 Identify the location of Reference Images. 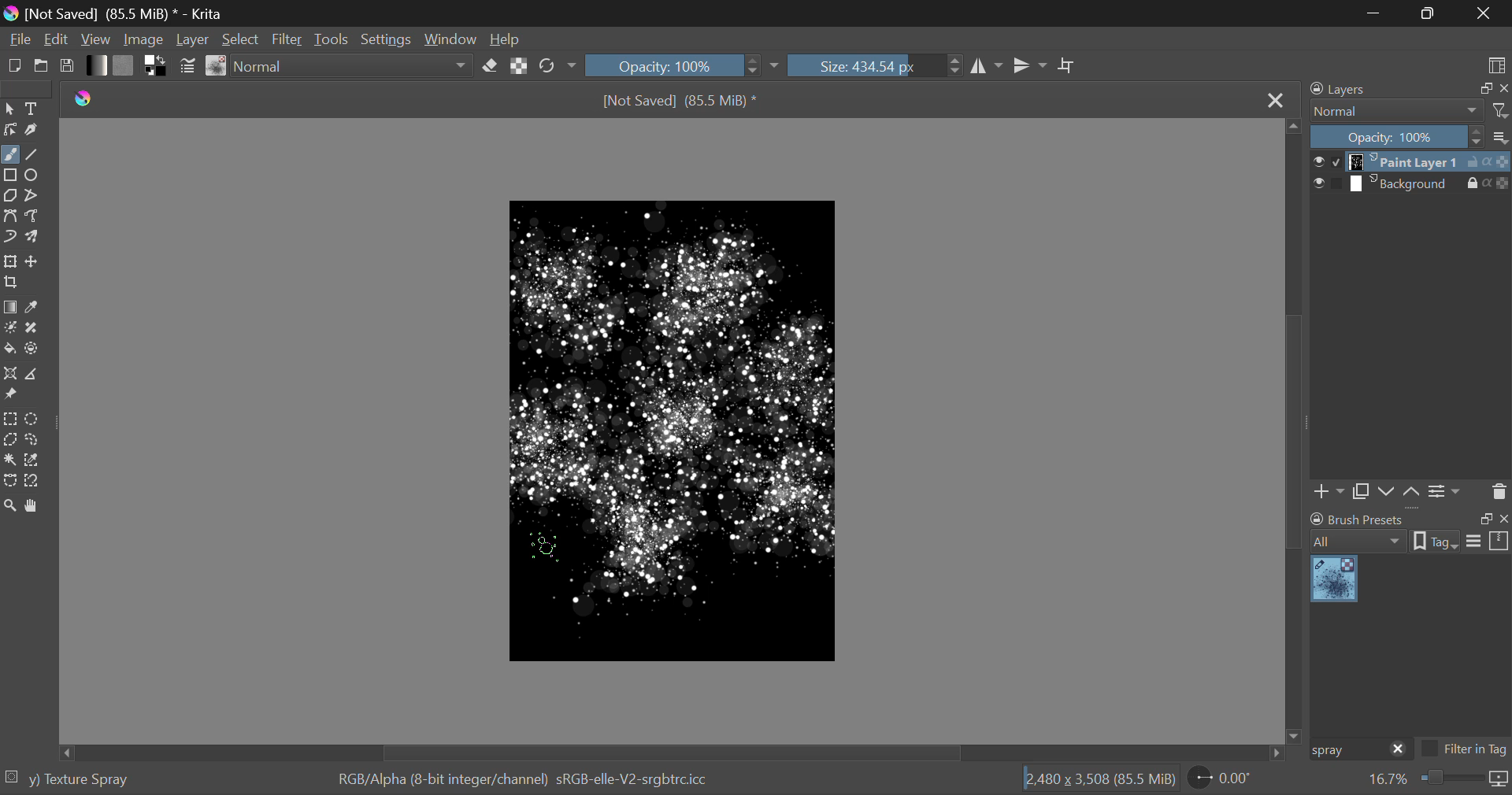
(9, 394).